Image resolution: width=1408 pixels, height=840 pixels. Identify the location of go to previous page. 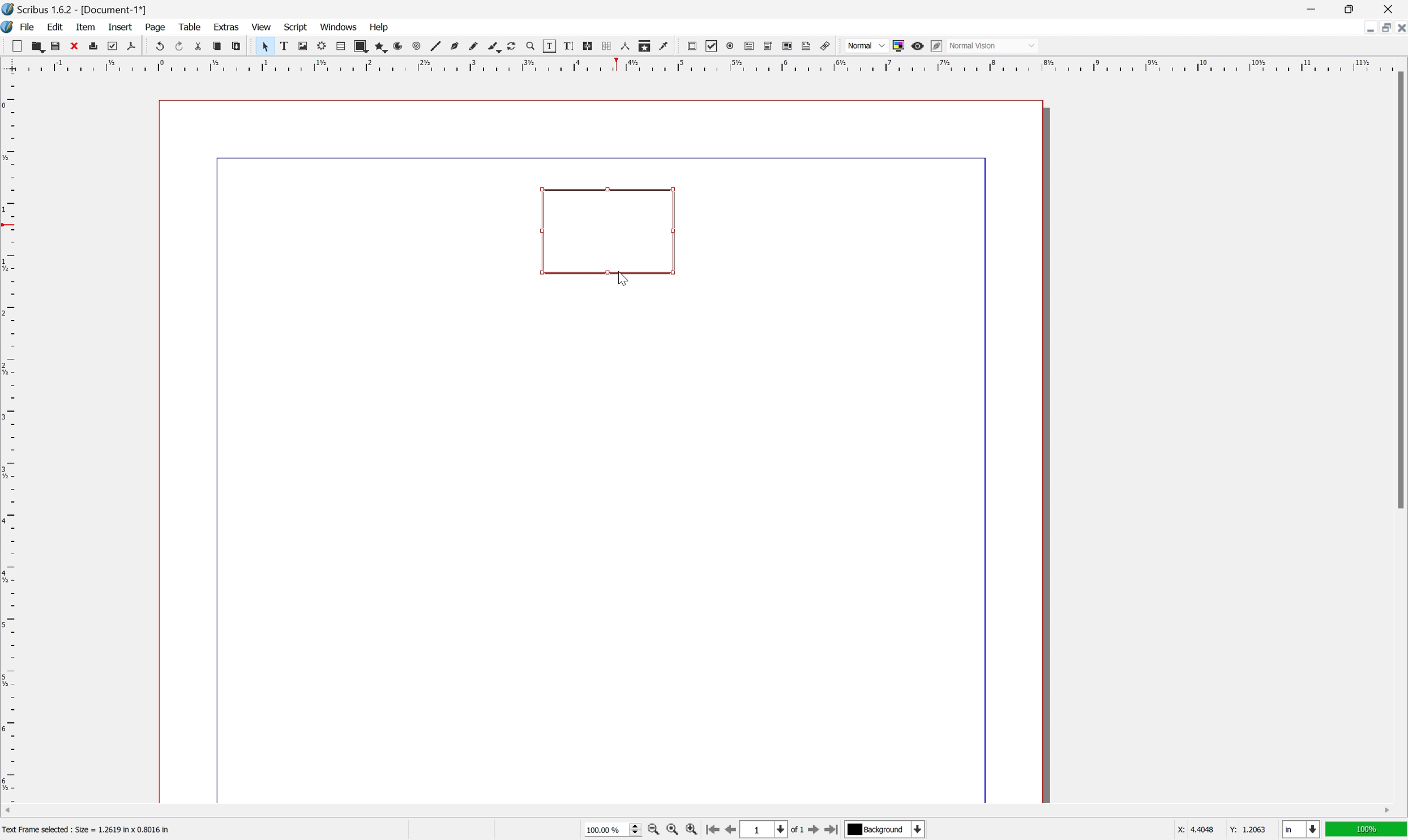
(730, 832).